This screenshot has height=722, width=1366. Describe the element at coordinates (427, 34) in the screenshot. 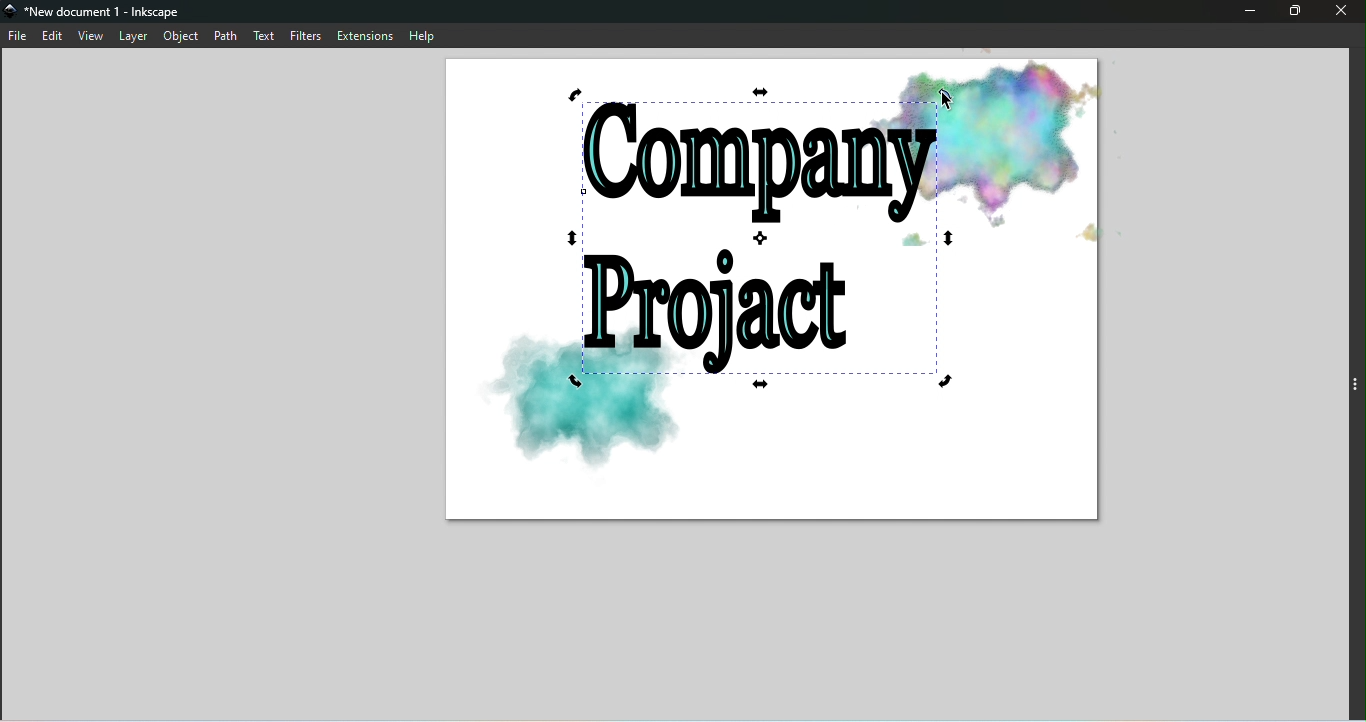

I see `Help` at that location.